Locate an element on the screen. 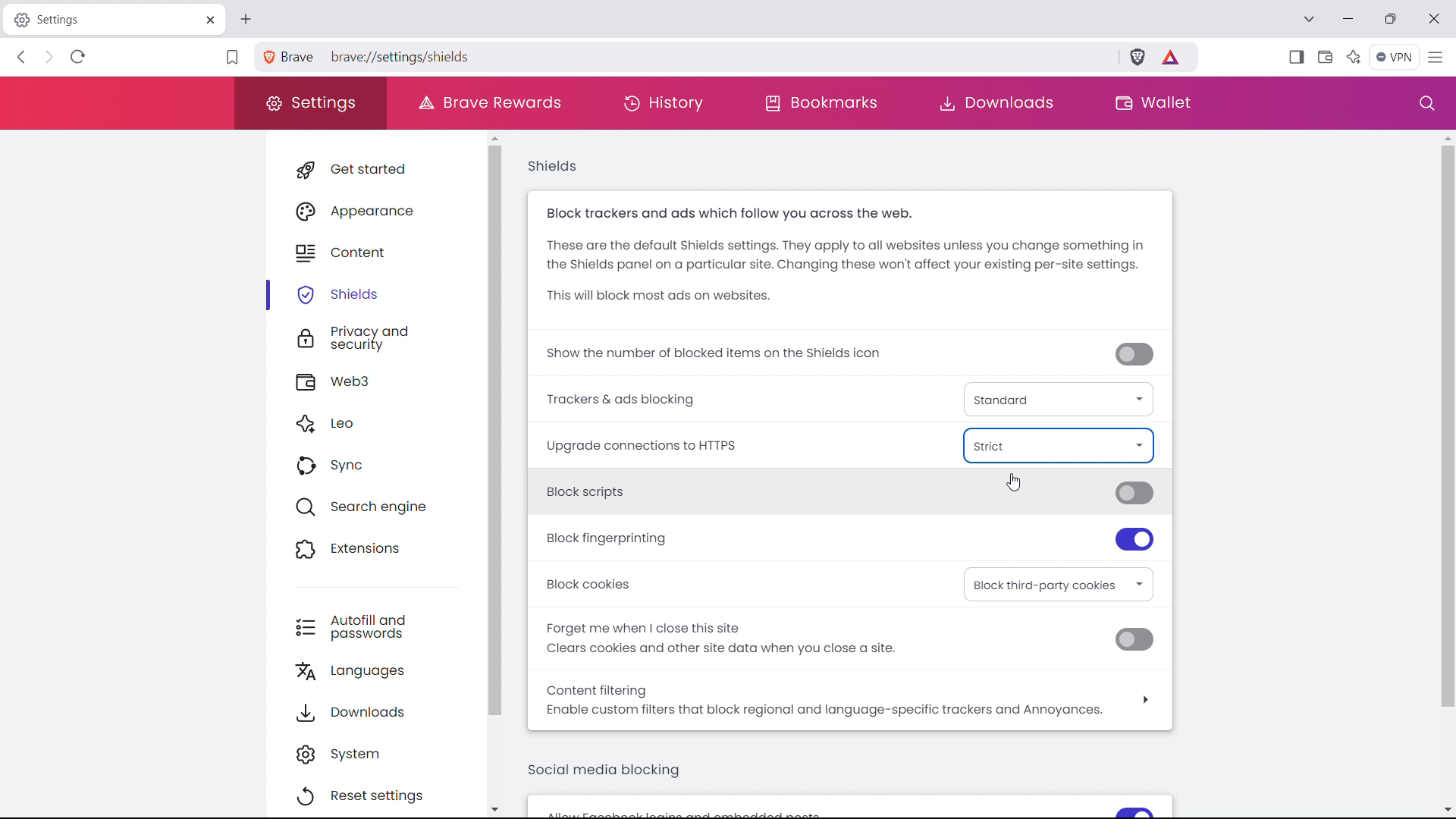 This screenshot has height=819, width=1456. These are the default Shields settings. They apply to all websites unless you change something in
the Shields panel on a particular site. Changing these won't affect your existing per-site settings. is located at coordinates (849, 255).